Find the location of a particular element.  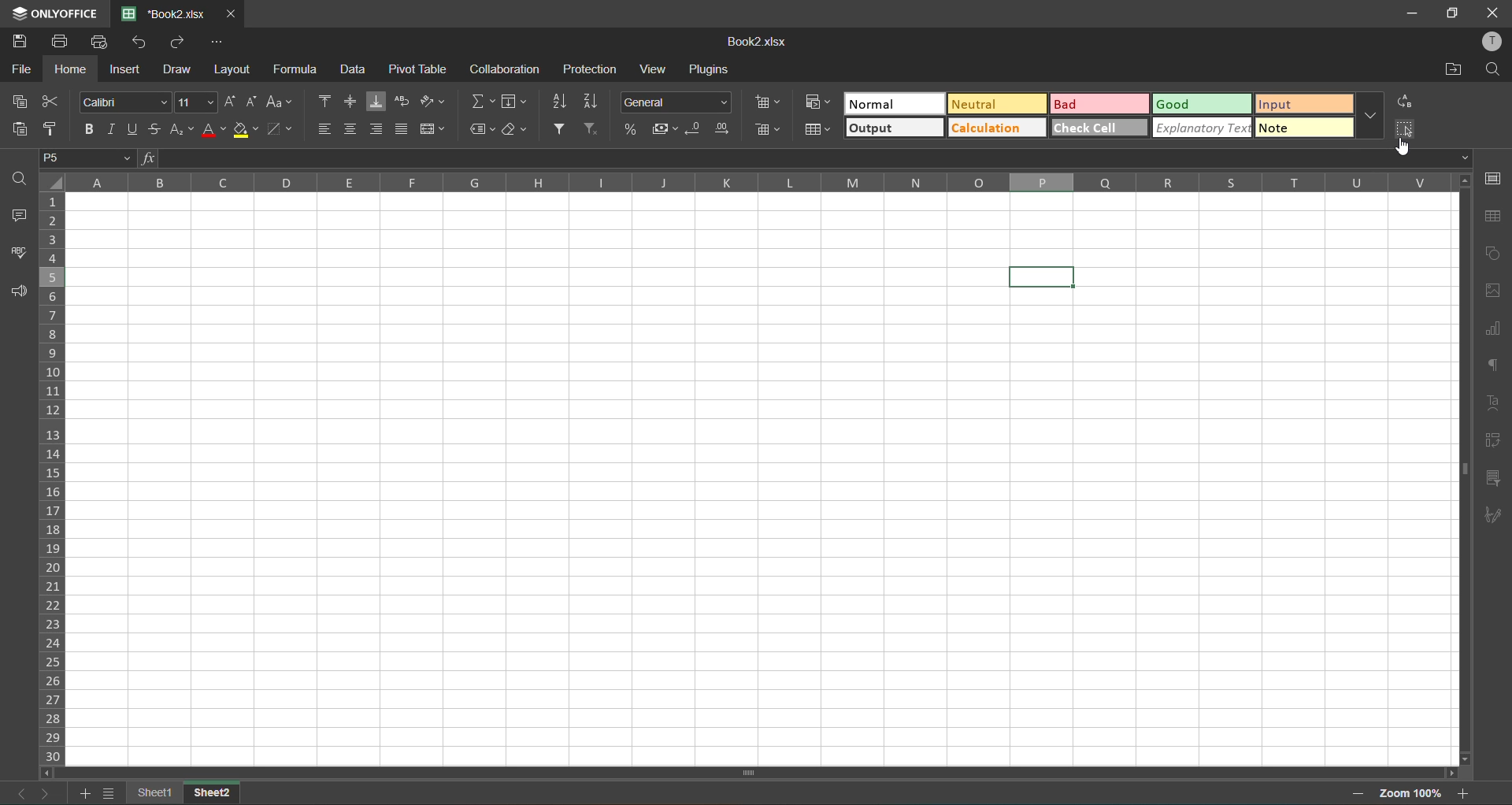

italic is located at coordinates (110, 128).